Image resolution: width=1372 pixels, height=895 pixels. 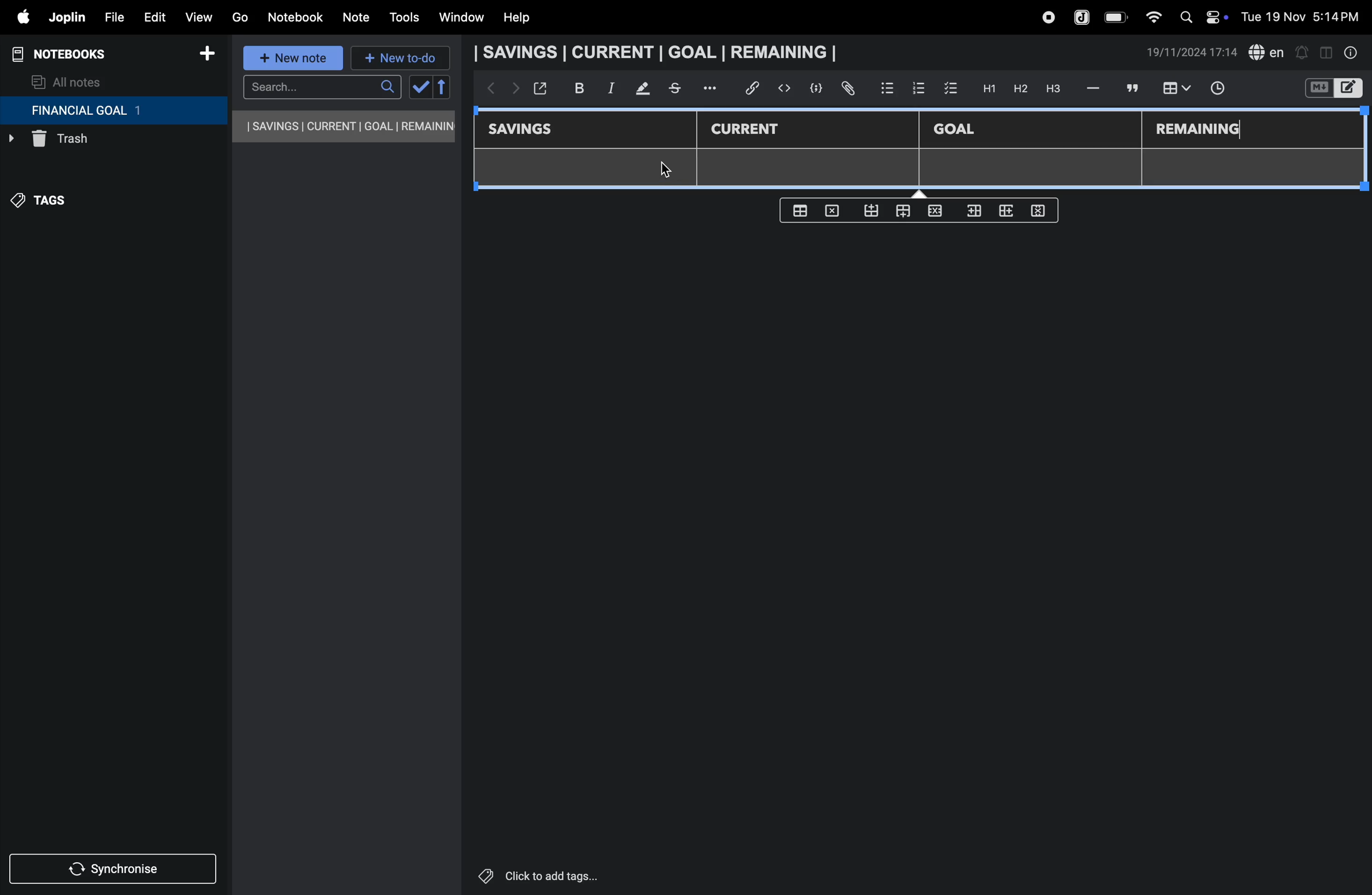 What do you see at coordinates (638, 89) in the screenshot?
I see `mark` at bounding box center [638, 89].